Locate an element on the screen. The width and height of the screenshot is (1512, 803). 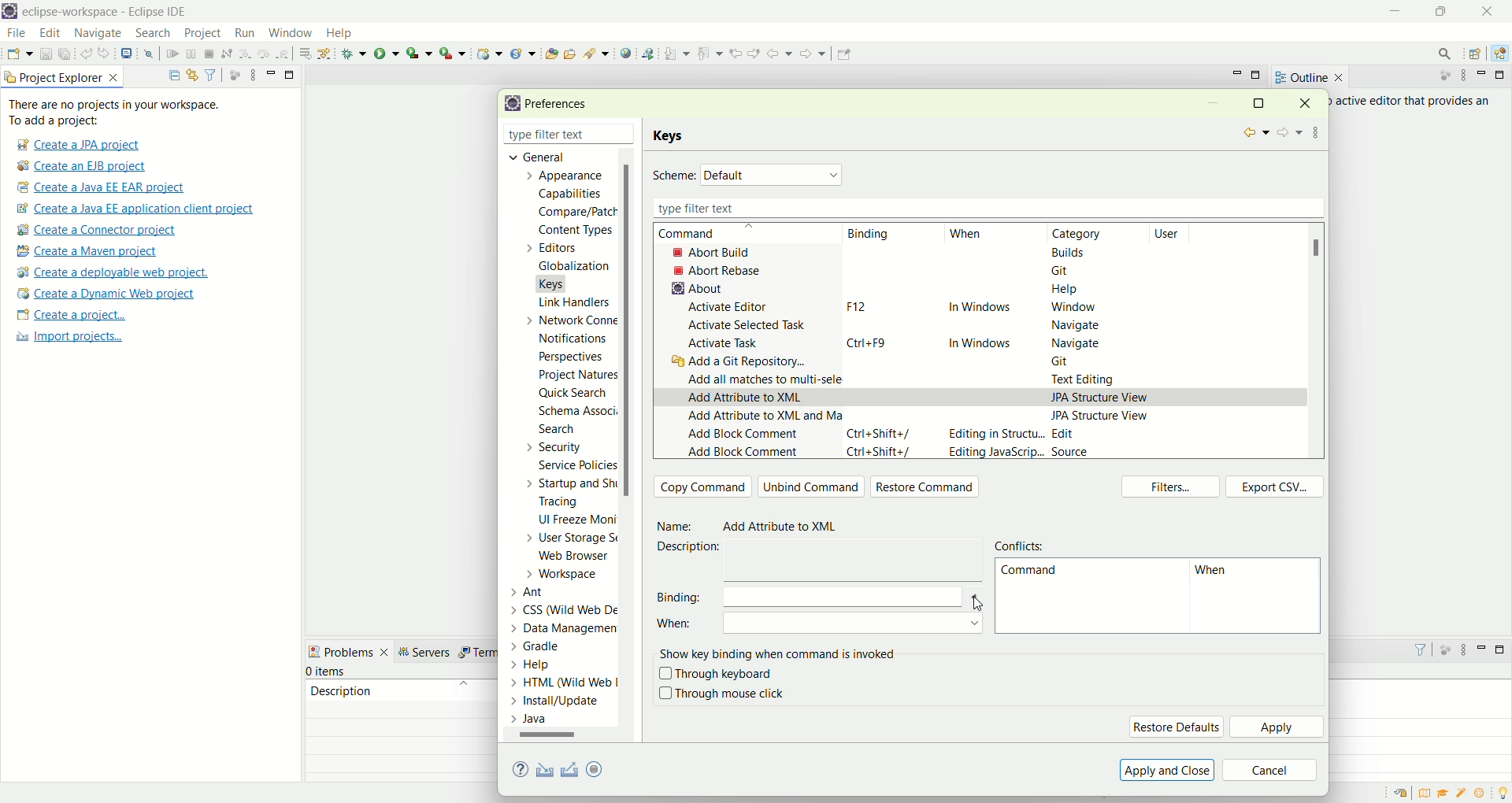
help is located at coordinates (1065, 292).